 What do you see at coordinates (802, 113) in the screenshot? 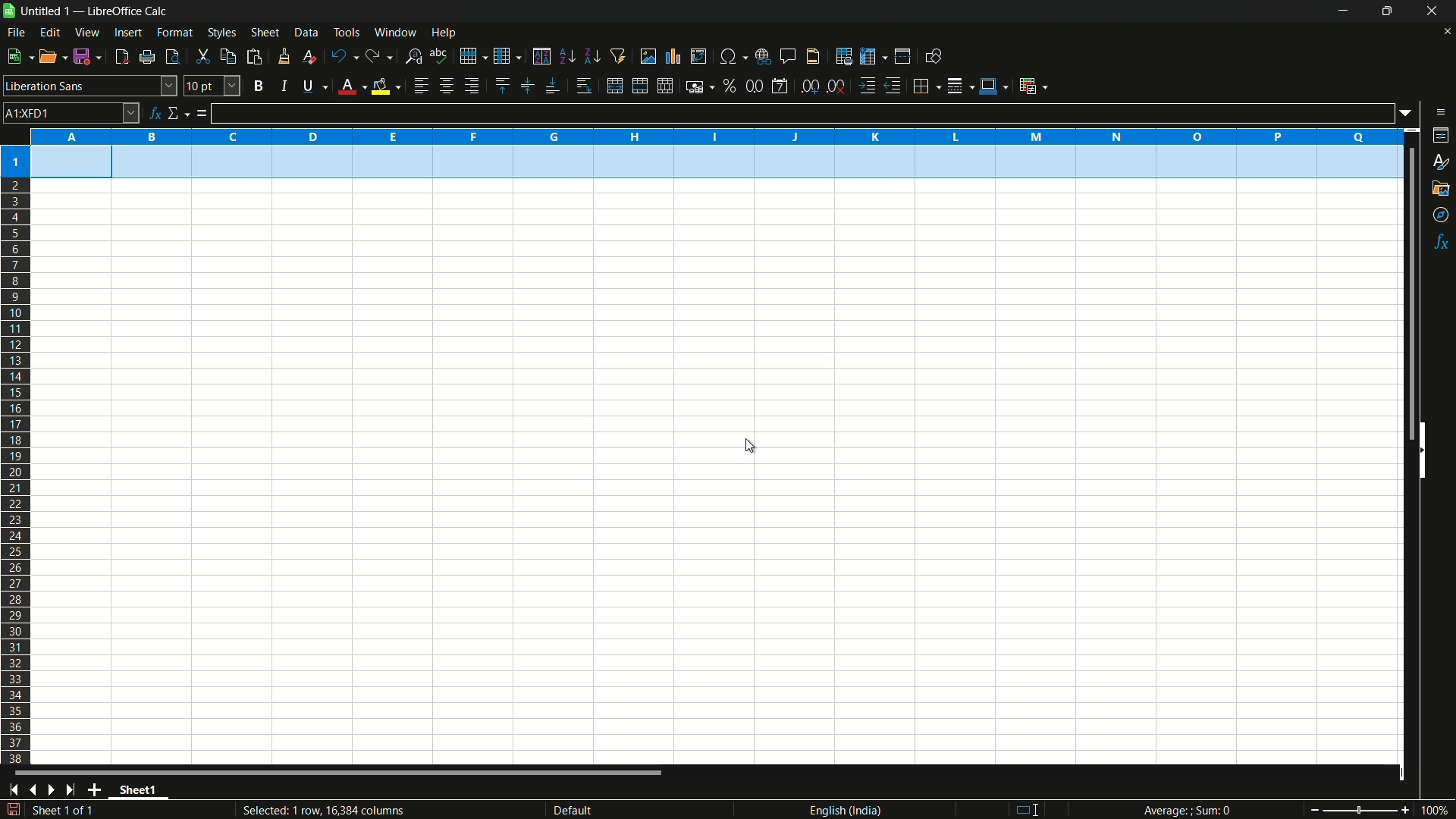
I see `formula input line` at bounding box center [802, 113].